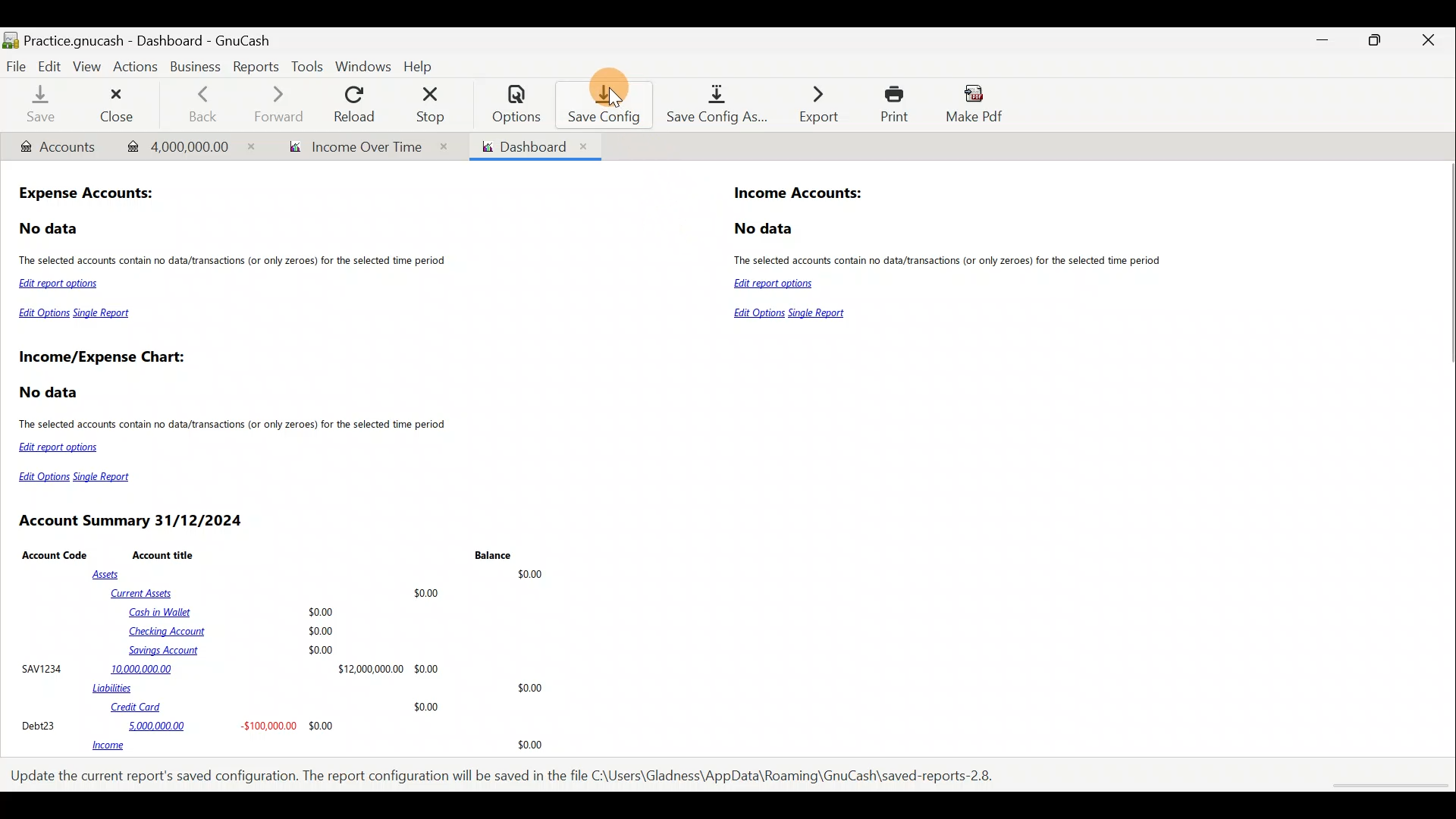 Image resolution: width=1456 pixels, height=819 pixels. What do you see at coordinates (76, 316) in the screenshot?
I see `Edit Options Single Report` at bounding box center [76, 316].